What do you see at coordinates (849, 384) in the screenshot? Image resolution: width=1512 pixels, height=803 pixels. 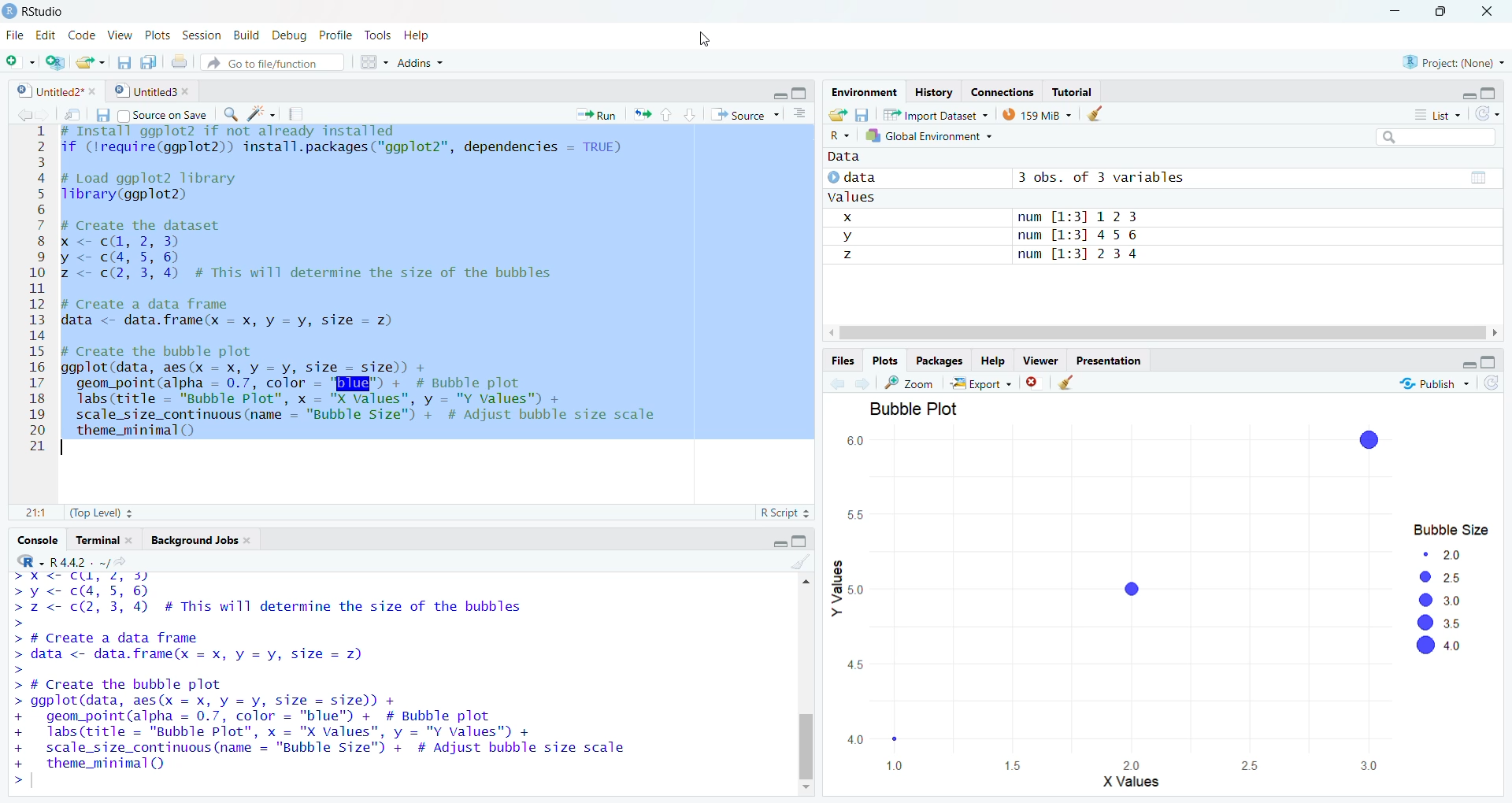 I see `forward/backward` at bounding box center [849, 384].